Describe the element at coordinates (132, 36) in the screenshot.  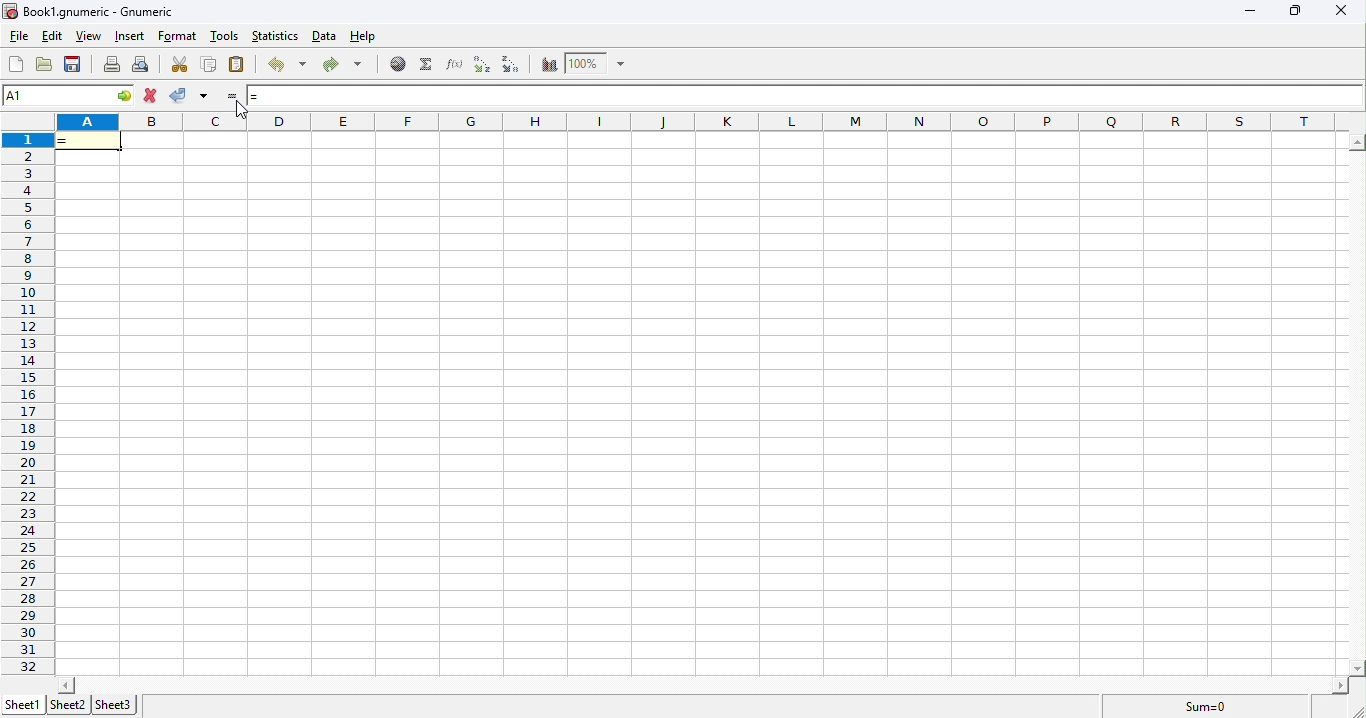
I see `insert` at that location.